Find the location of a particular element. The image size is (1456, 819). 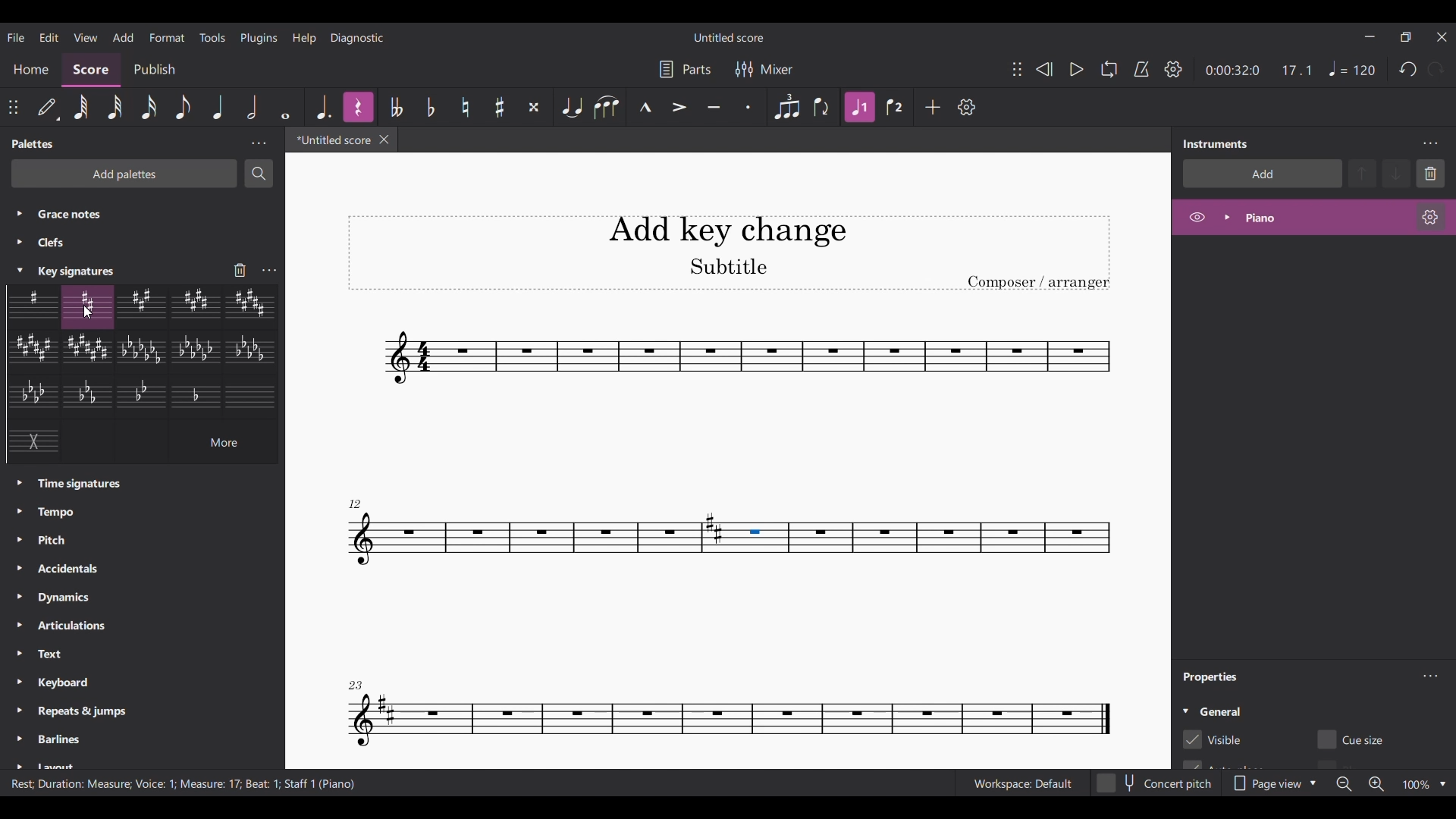

Redo is located at coordinates (1436, 69).